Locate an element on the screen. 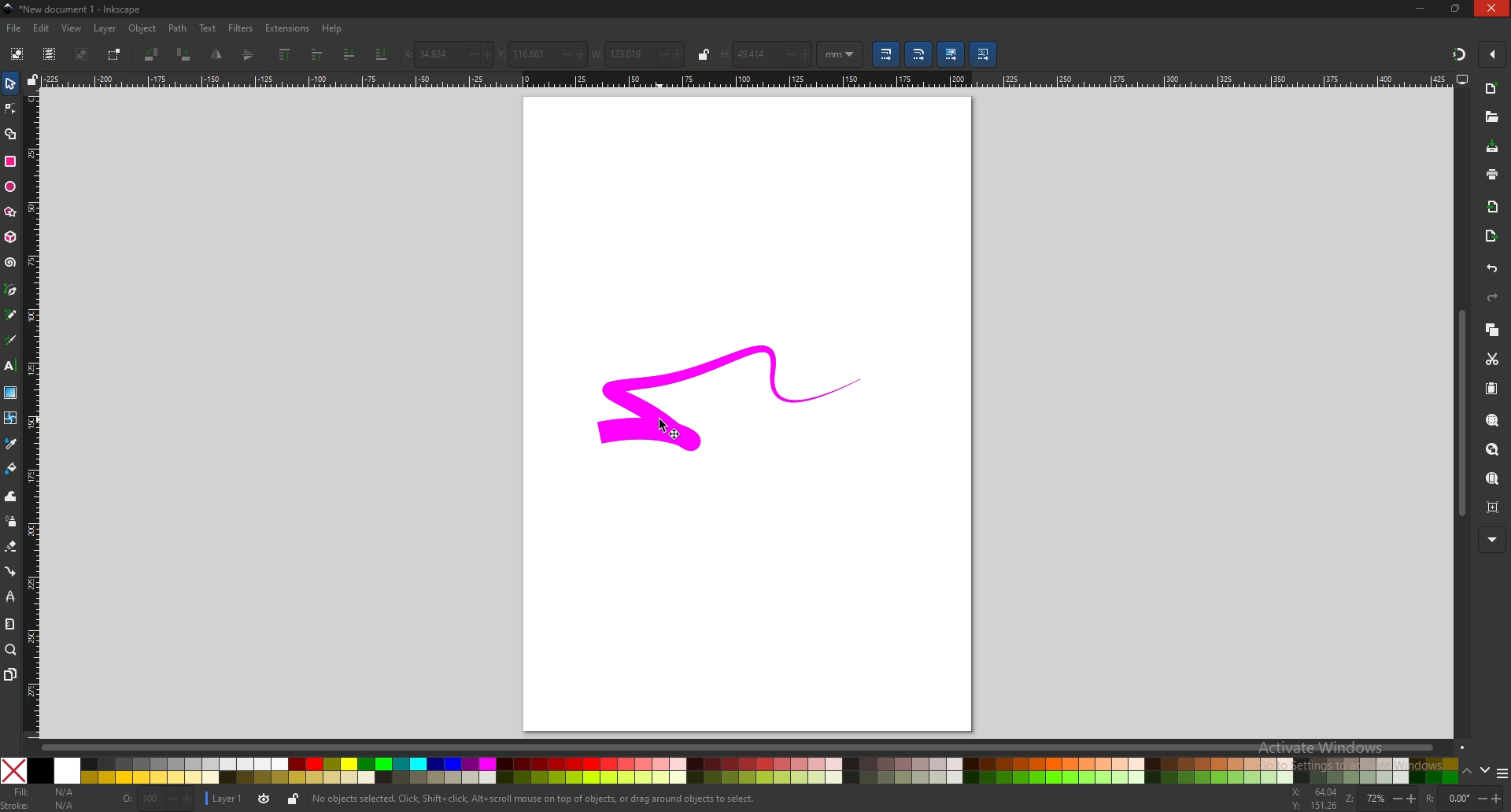 The height and width of the screenshot is (812, 1511). color picker is located at coordinates (11, 444).